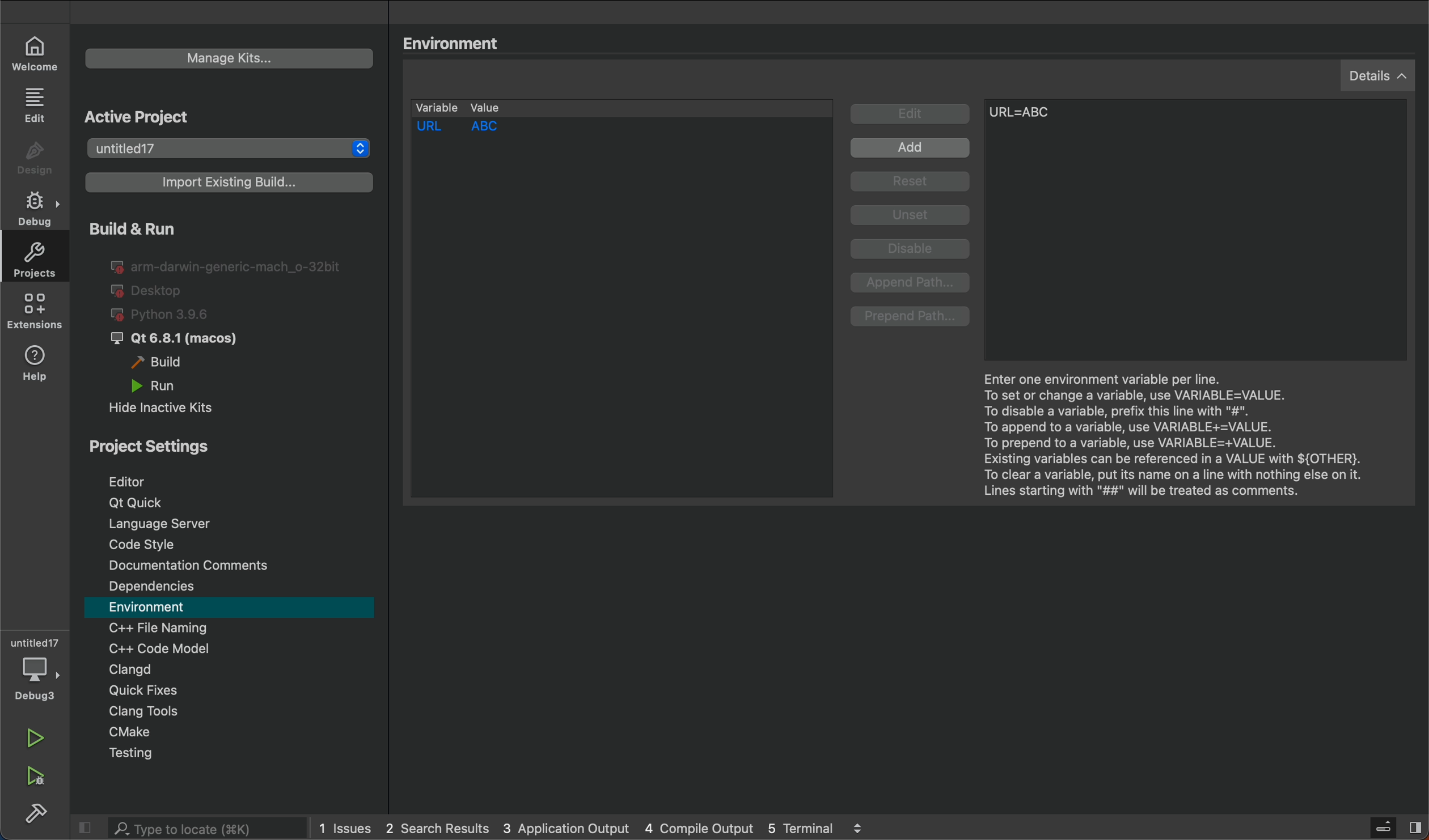 This screenshot has height=840, width=1429. What do you see at coordinates (200, 116) in the screenshot?
I see `Active Project` at bounding box center [200, 116].